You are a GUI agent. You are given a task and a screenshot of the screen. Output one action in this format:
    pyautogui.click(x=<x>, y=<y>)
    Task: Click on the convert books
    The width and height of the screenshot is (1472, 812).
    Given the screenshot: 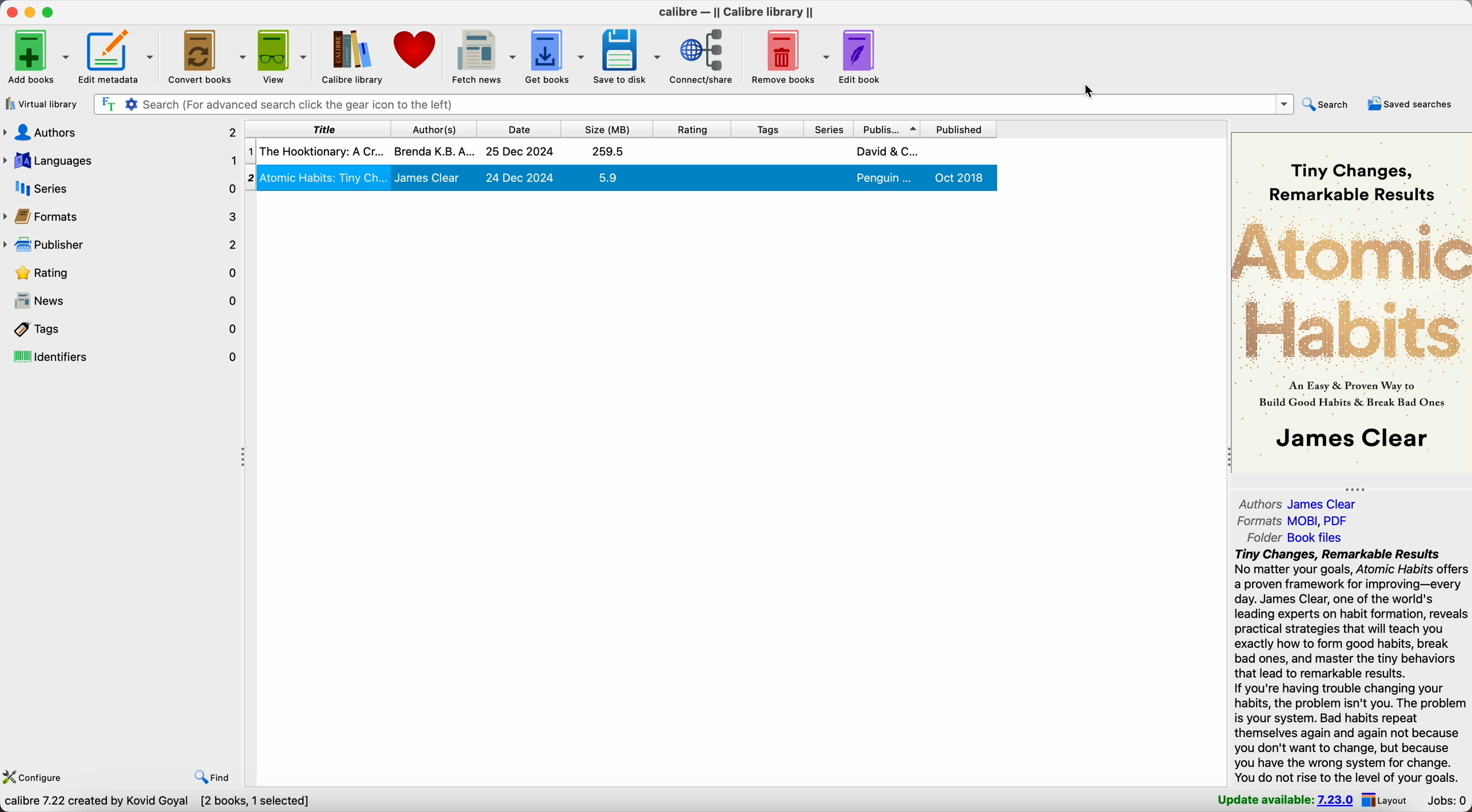 What is the action you would take?
    pyautogui.click(x=208, y=57)
    